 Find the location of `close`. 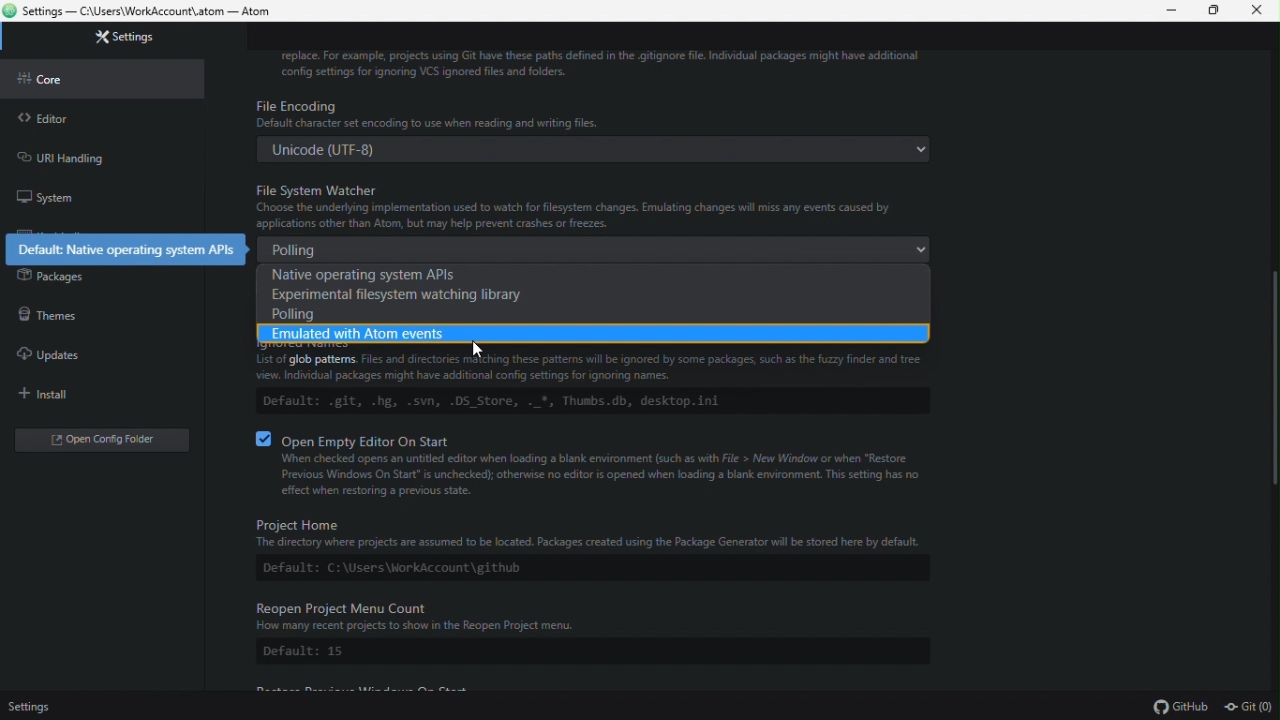

close is located at coordinates (1258, 11).